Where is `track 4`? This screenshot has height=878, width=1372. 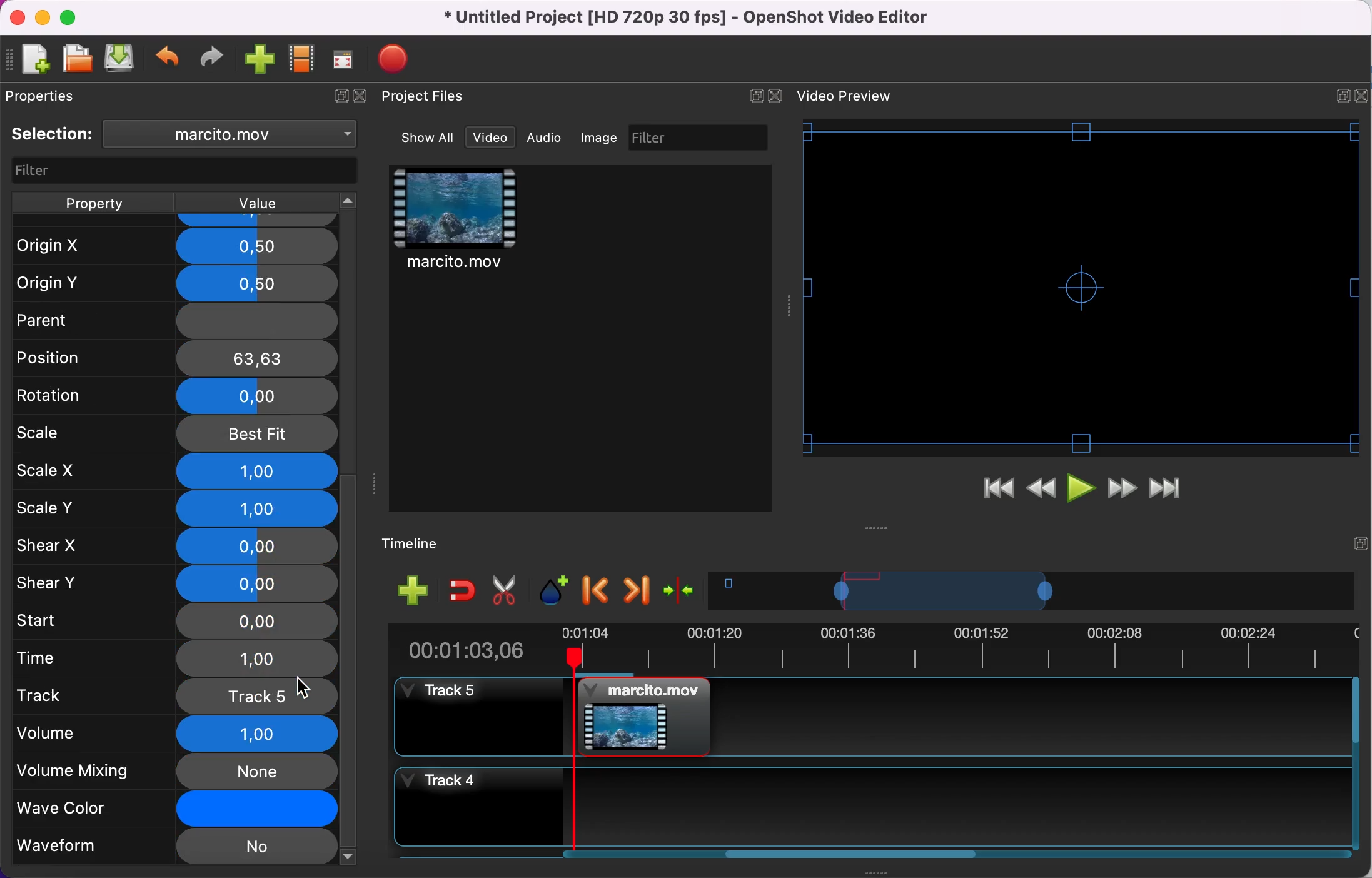
track 4 is located at coordinates (869, 807).